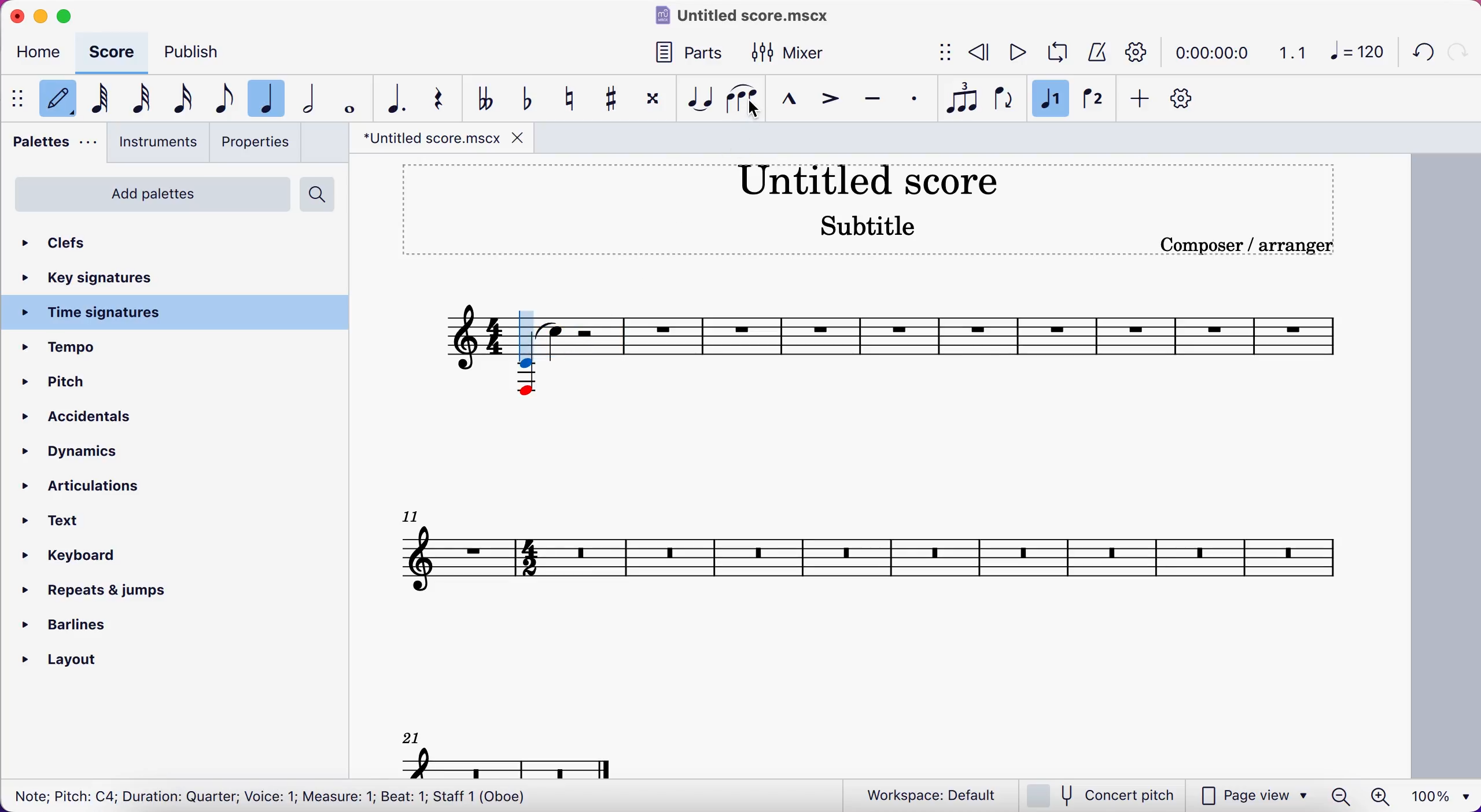 The height and width of the screenshot is (812, 1481). Describe the element at coordinates (488, 98) in the screenshot. I see `toggle double flat` at that location.